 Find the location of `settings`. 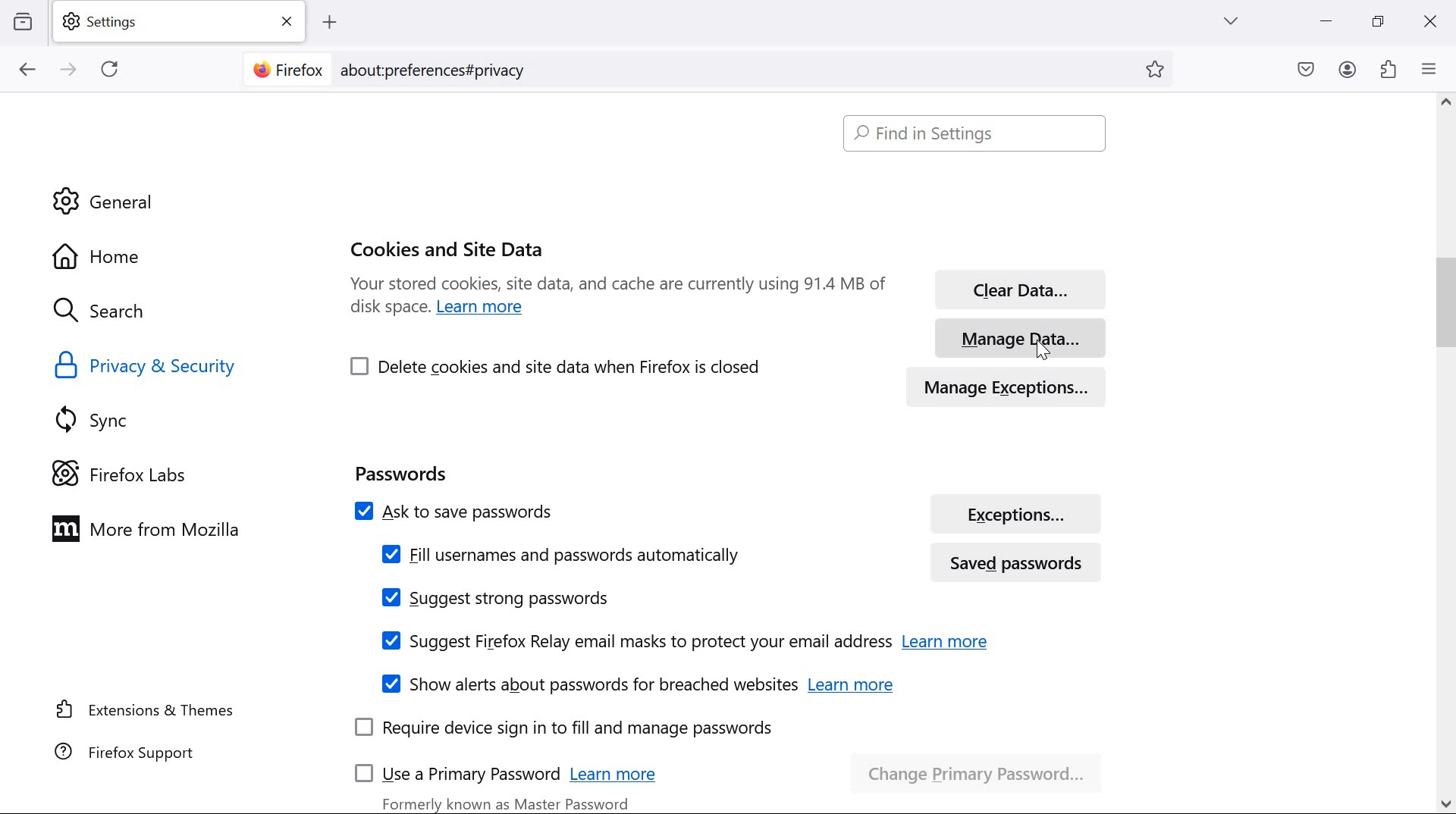

settings is located at coordinates (183, 22).